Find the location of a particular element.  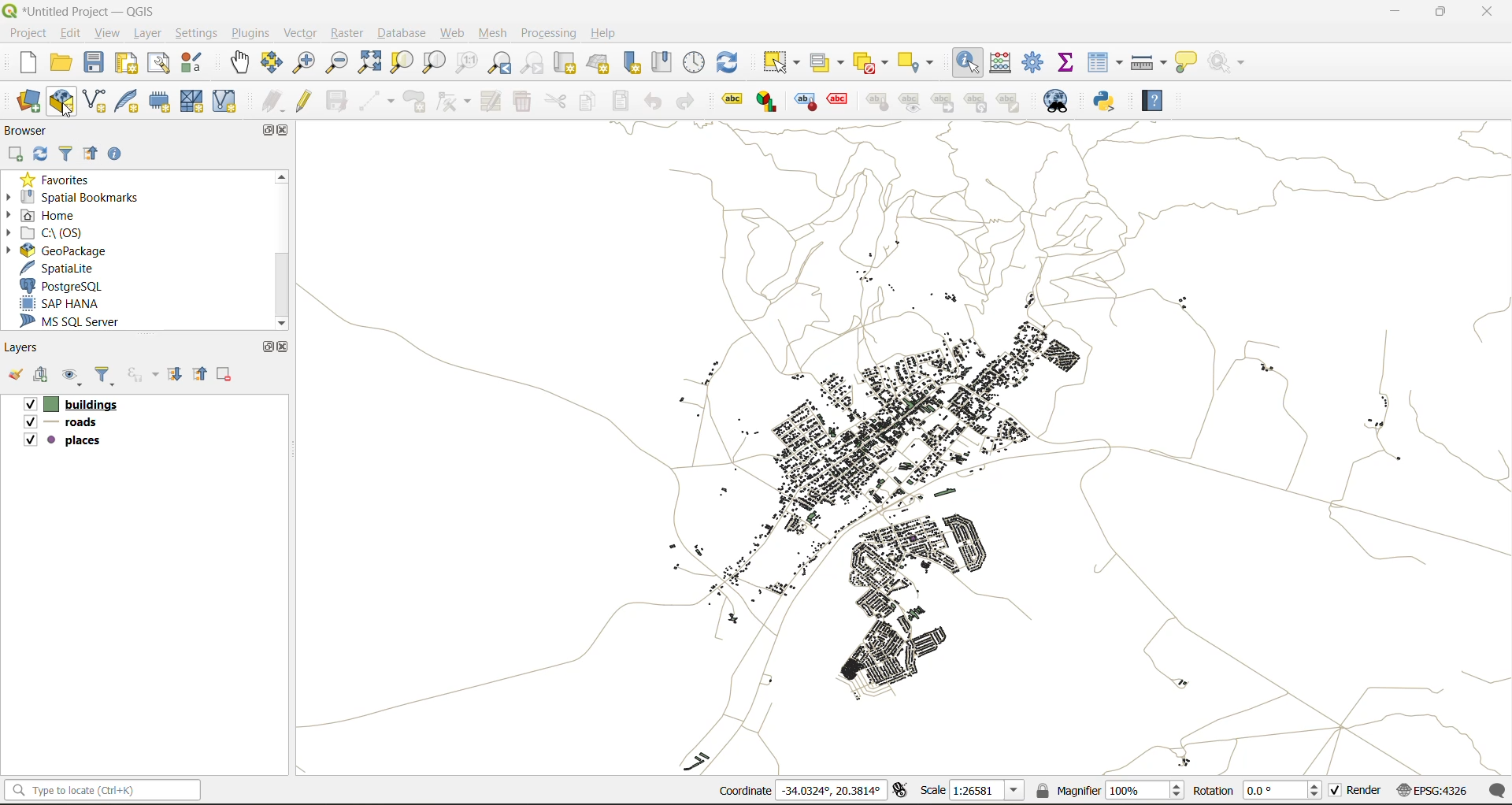

web is located at coordinates (454, 33).